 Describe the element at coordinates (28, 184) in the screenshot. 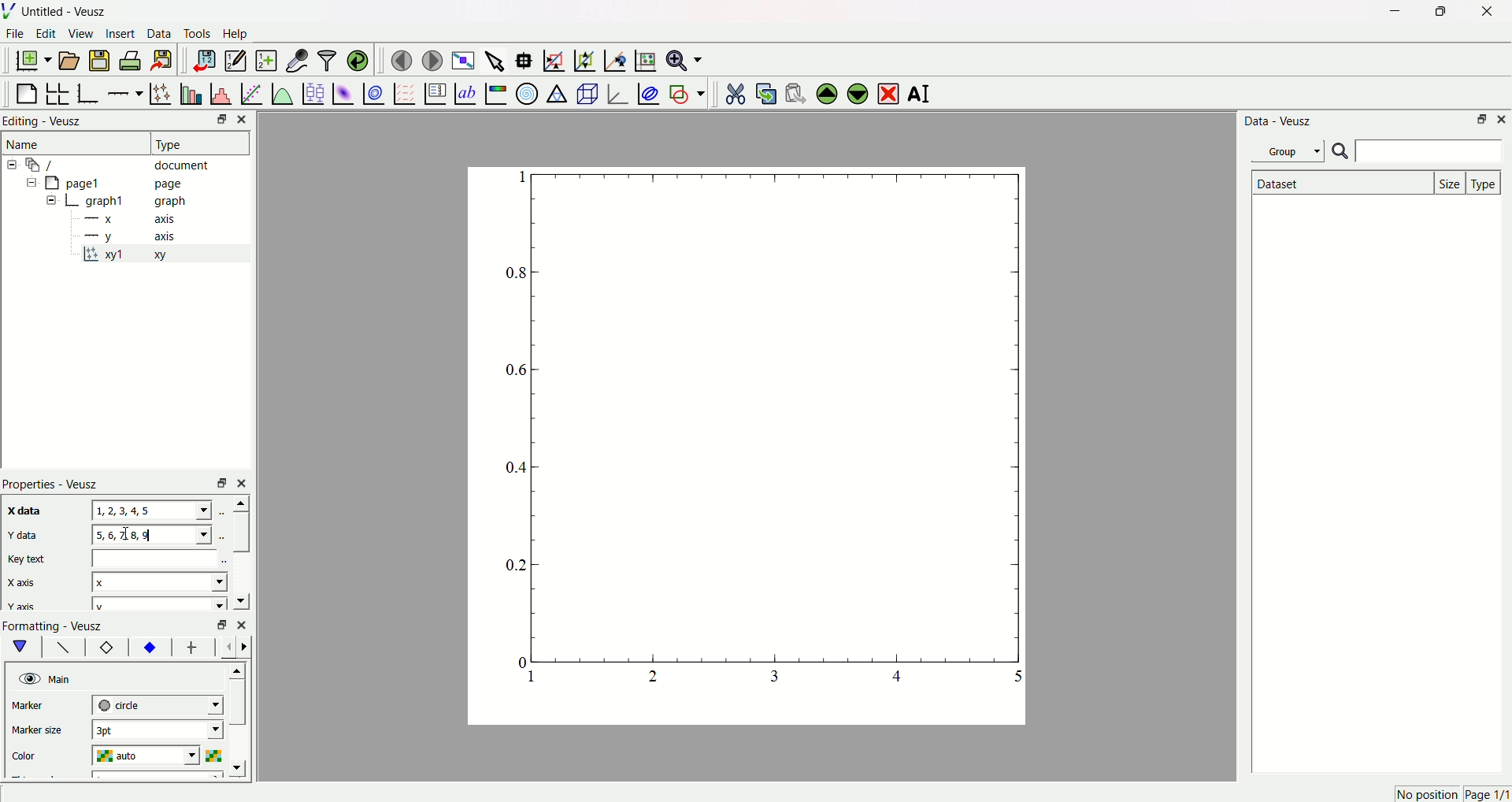

I see `collapse` at that location.